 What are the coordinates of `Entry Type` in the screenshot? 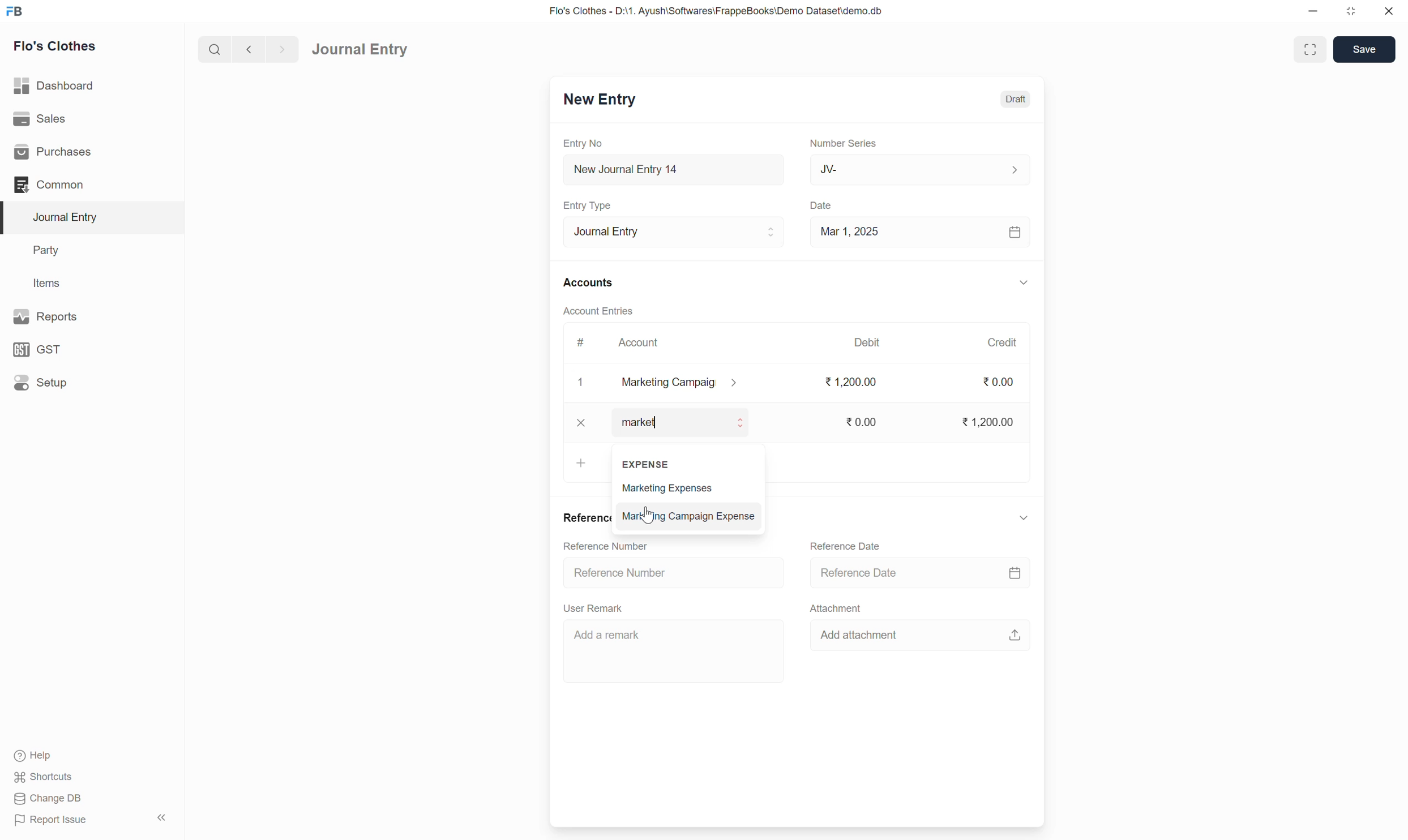 It's located at (591, 205).